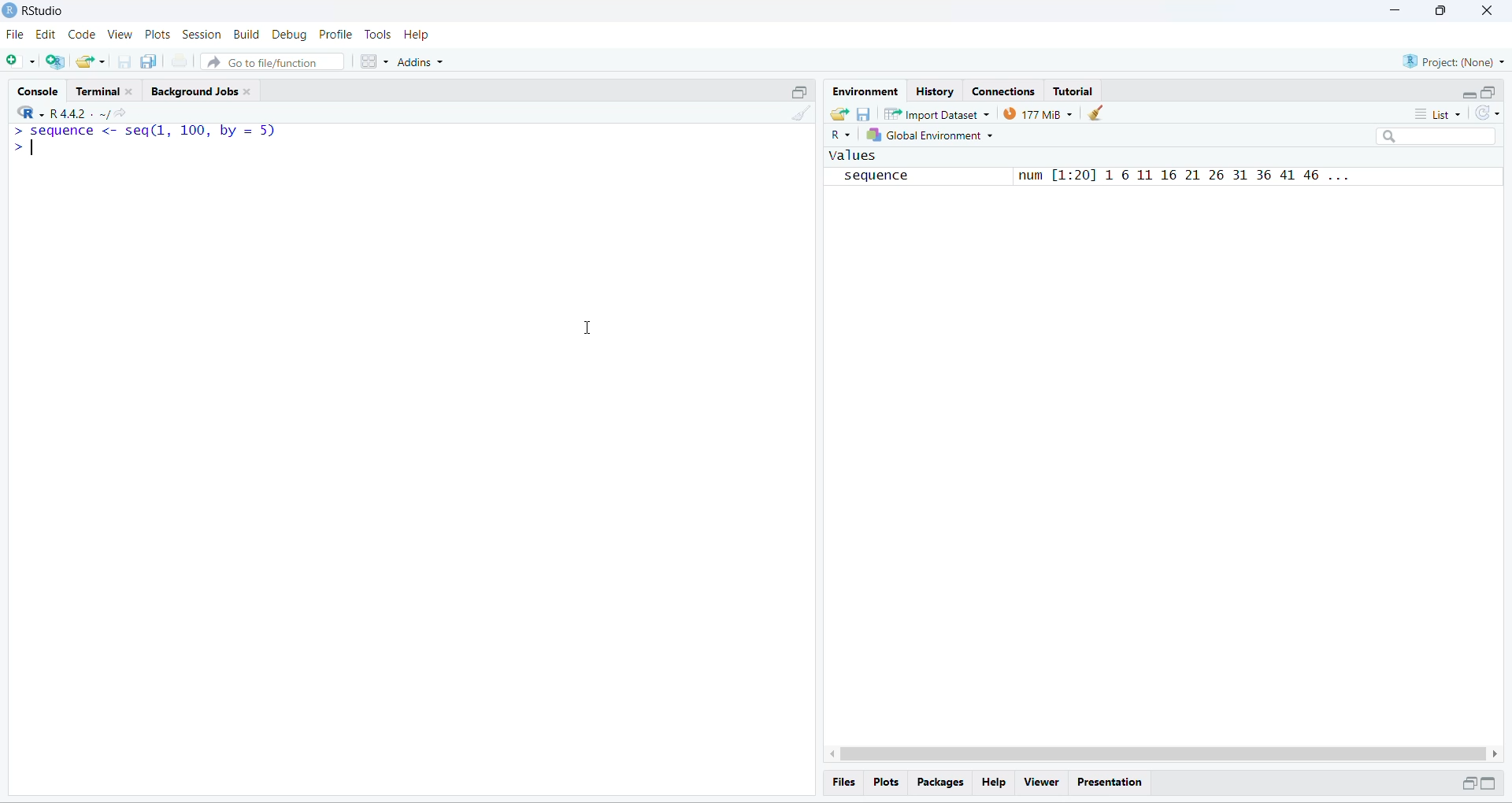 Image resolution: width=1512 pixels, height=803 pixels. Describe the element at coordinates (180, 60) in the screenshot. I see `print` at that location.